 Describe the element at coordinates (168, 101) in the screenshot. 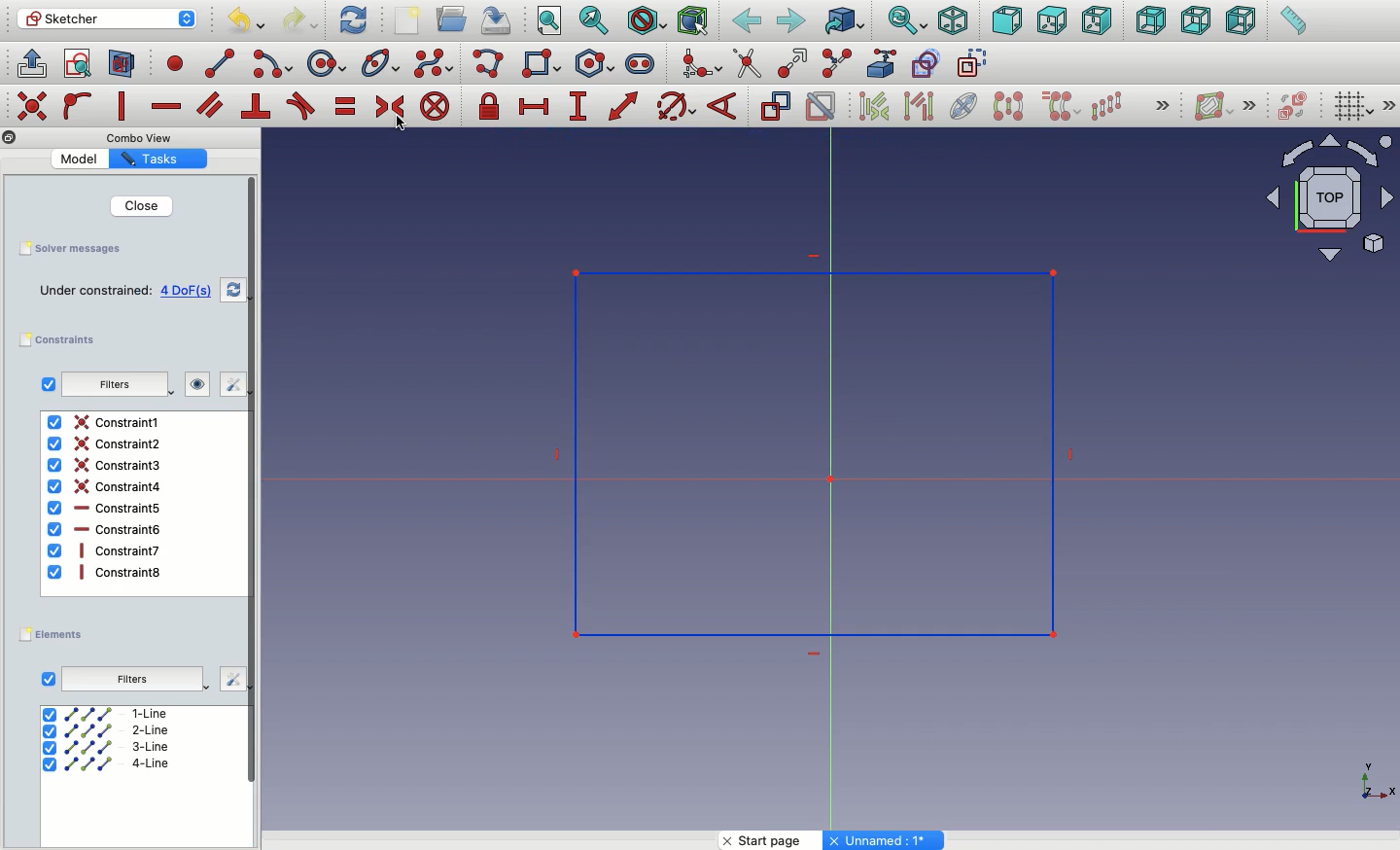

I see `constrain horizontally` at that location.